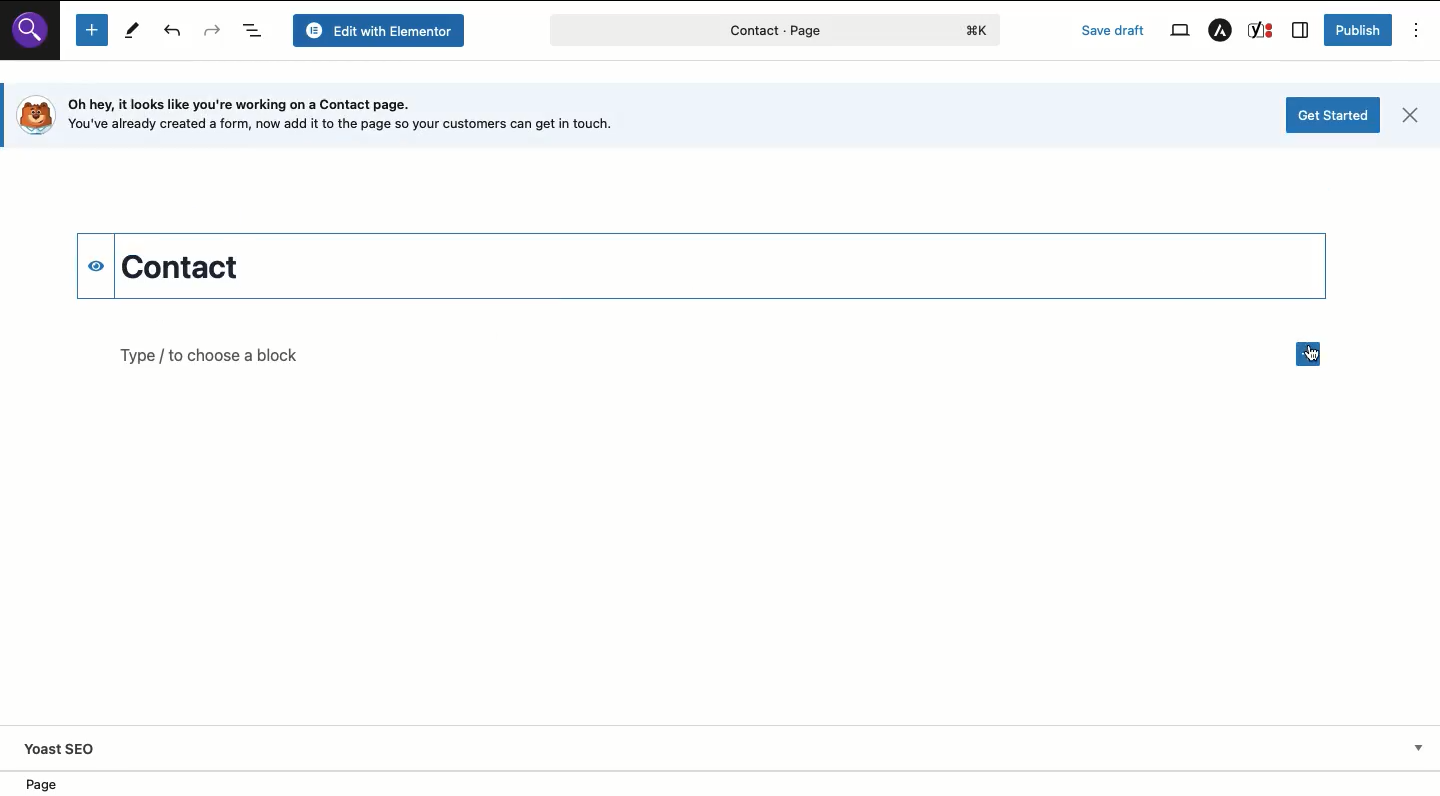 Image resolution: width=1440 pixels, height=796 pixels. What do you see at coordinates (1115, 31) in the screenshot?
I see `Save draft` at bounding box center [1115, 31].